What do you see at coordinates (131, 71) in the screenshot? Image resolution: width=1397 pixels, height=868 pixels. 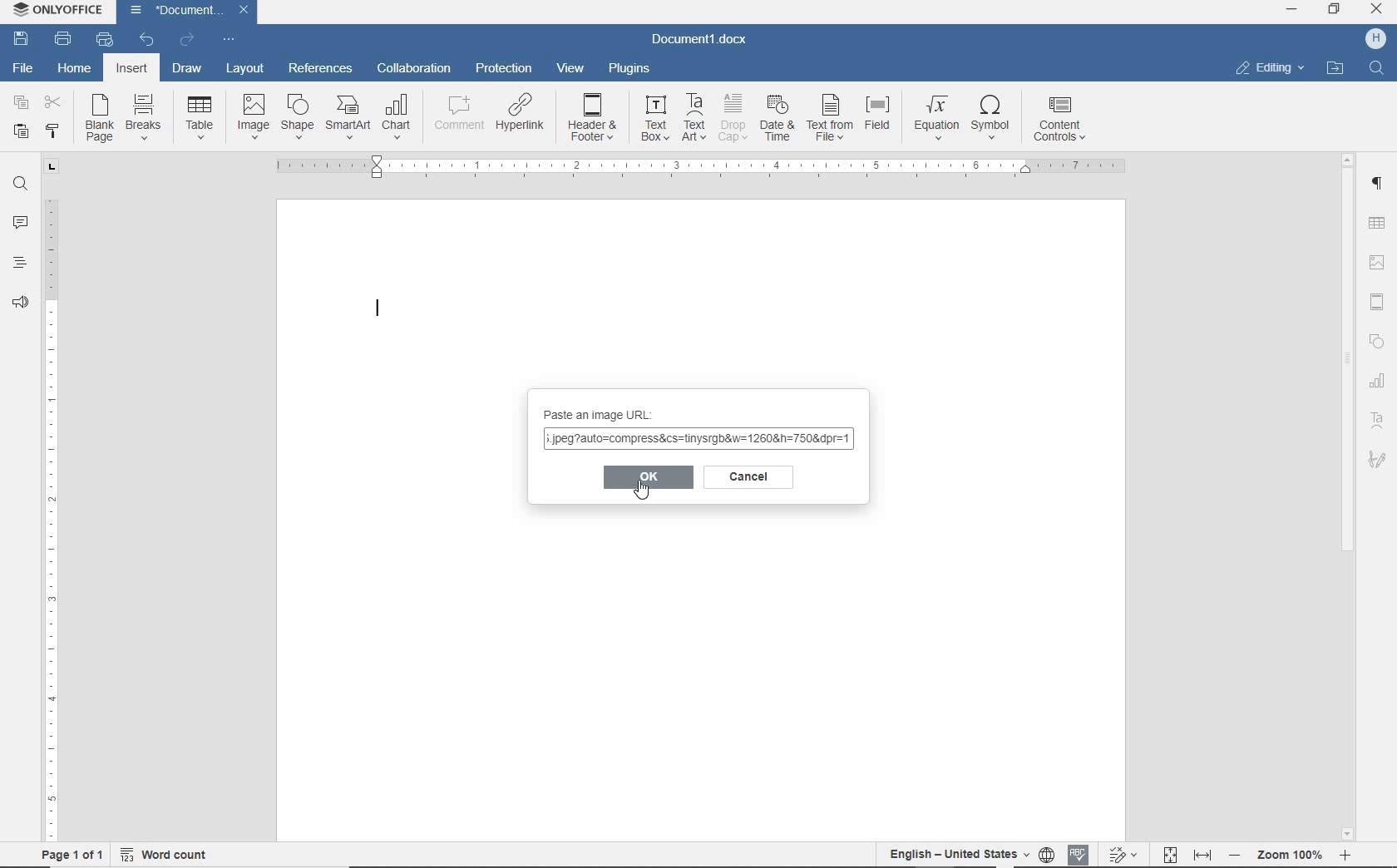 I see `insert` at bounding box center [131, 71].